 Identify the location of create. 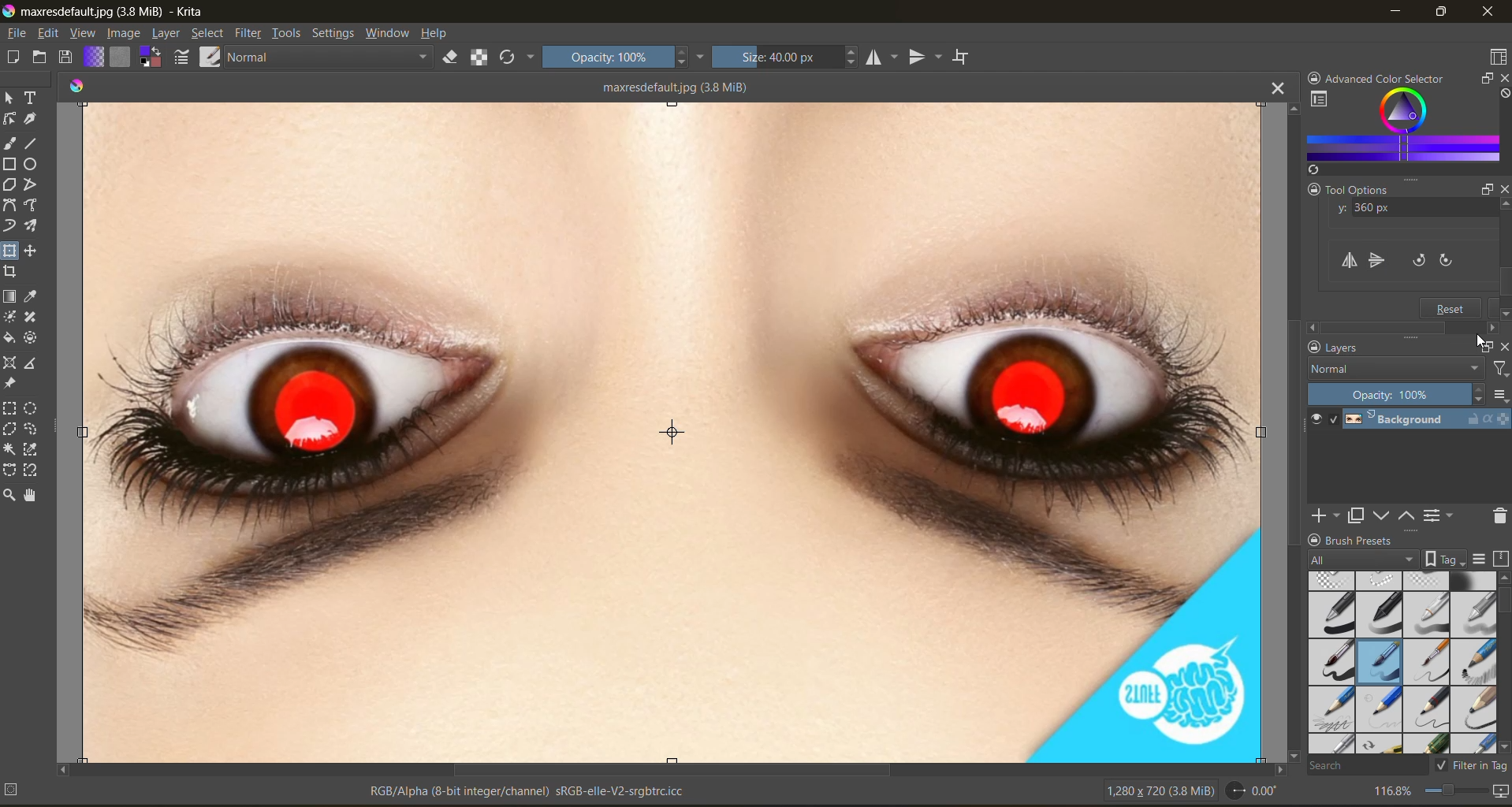
(14, 58).